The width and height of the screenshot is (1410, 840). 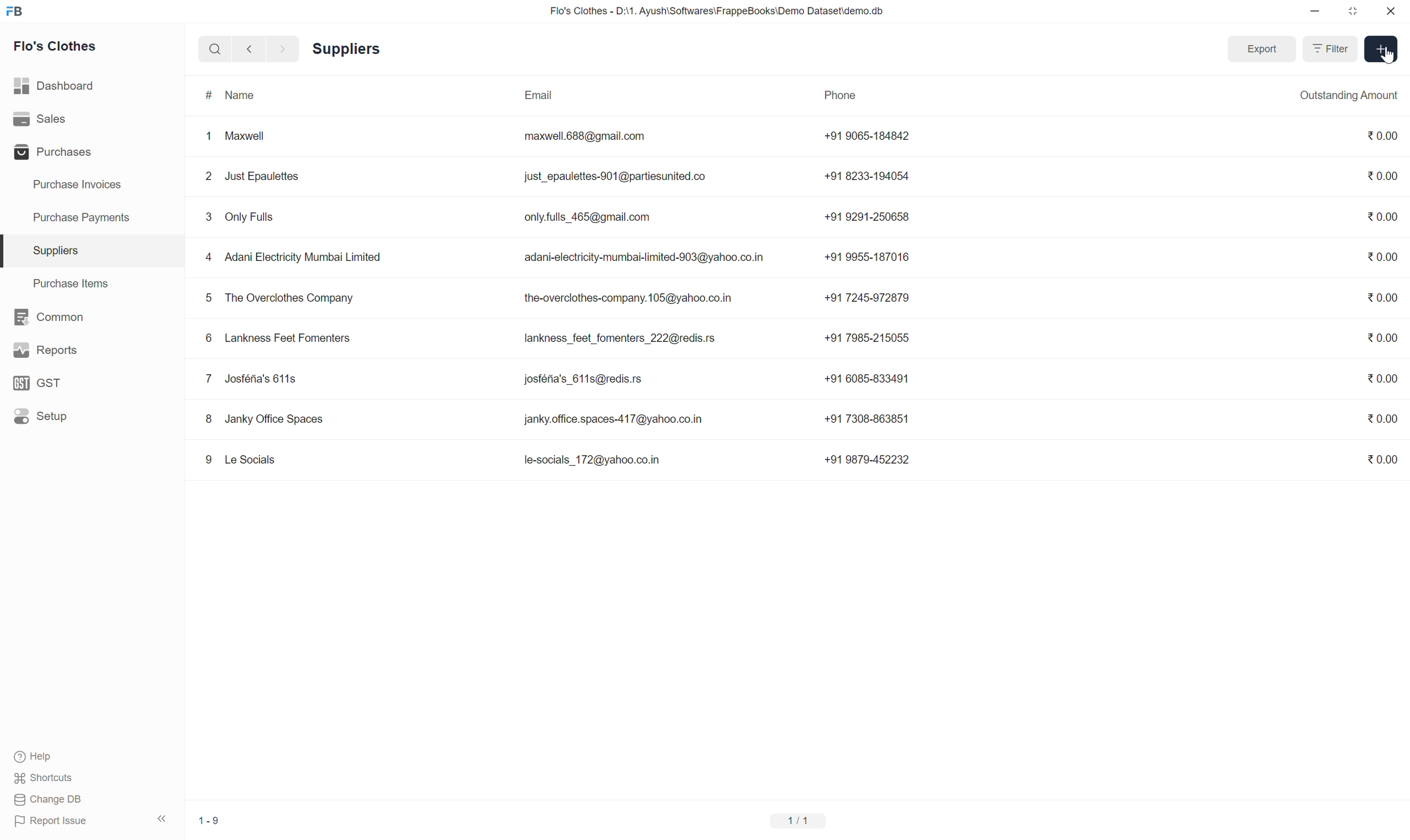 What do you see at coordinates (91, 152) in the screenshot?
I see `Purchases` at bounding box center [91, 152].